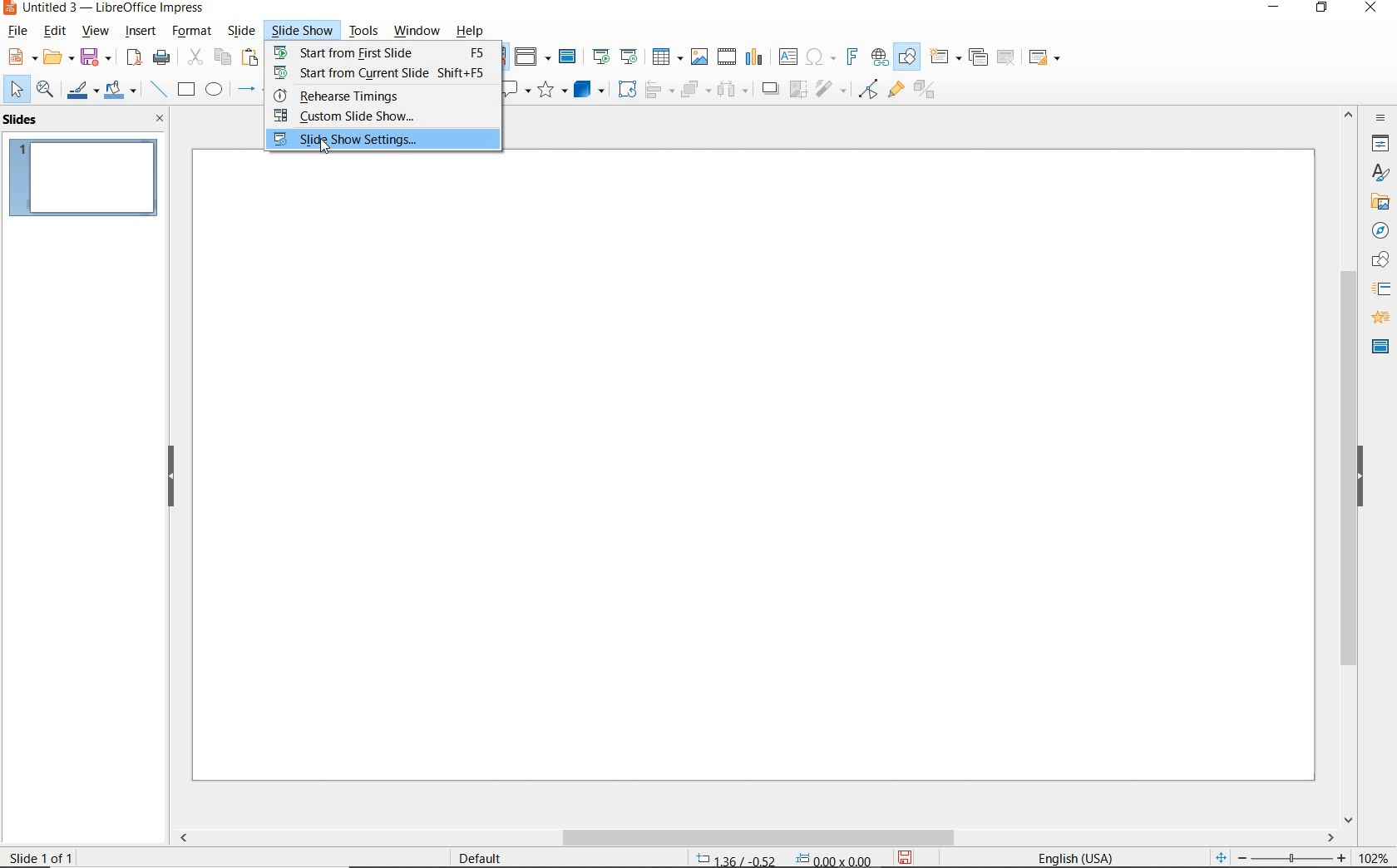 The image size is (1397, 868). I want to click on ELLIPSE, so click(215, 89).